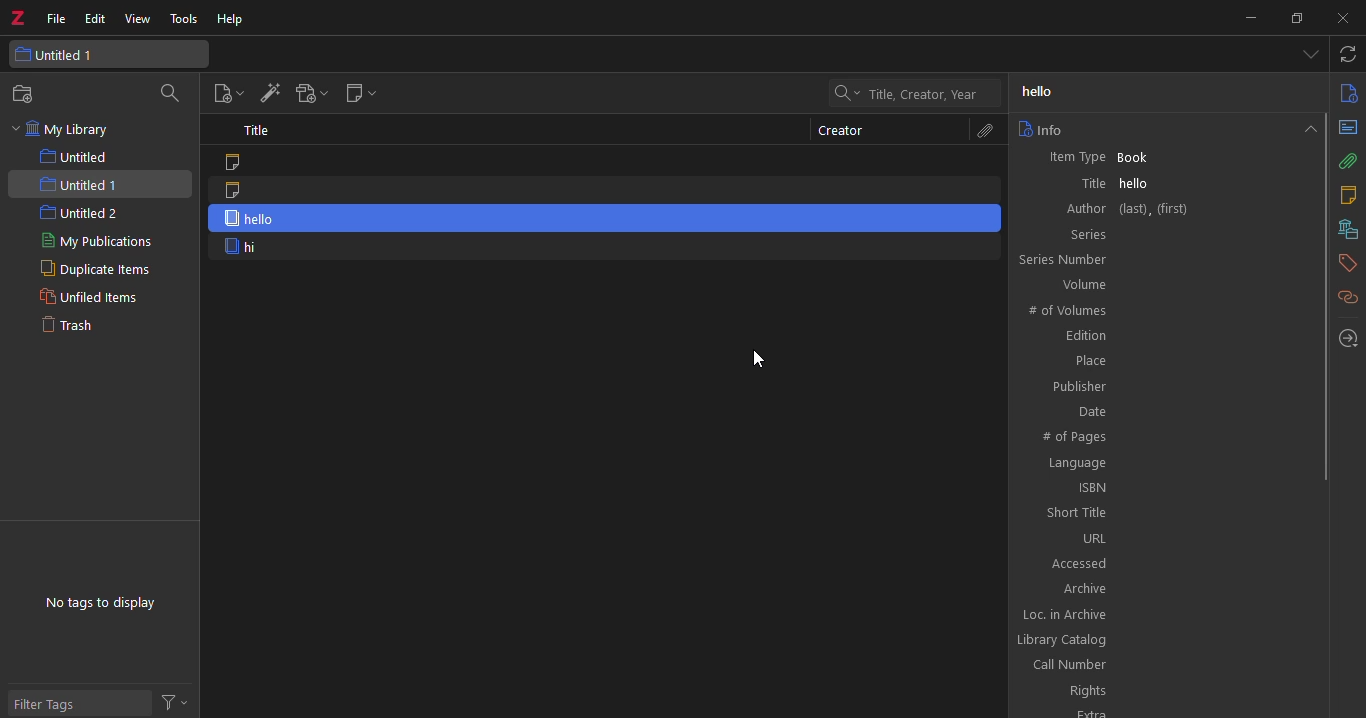 This screenshot has width=1366, height=718. I want to click on add attach, so click(309, 96).